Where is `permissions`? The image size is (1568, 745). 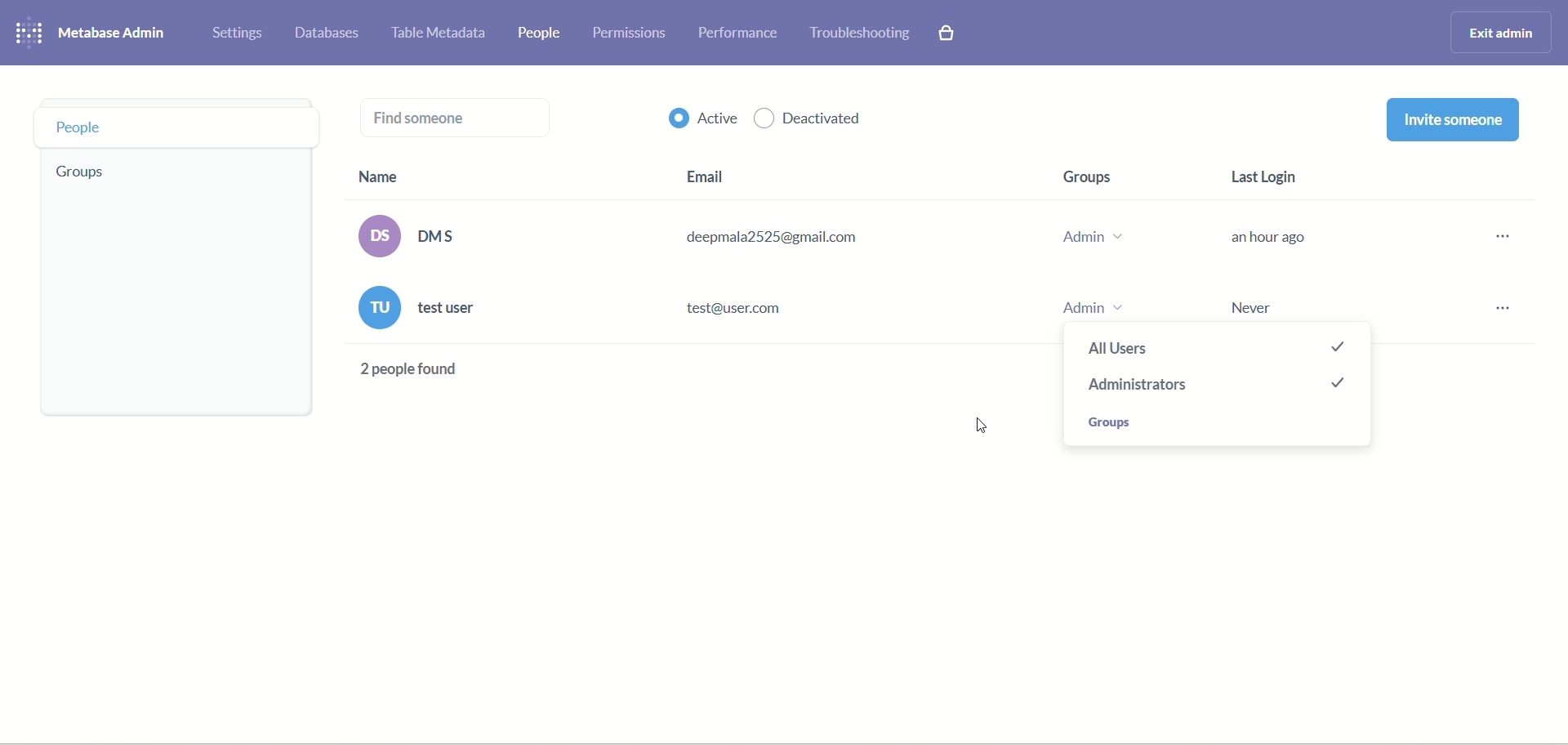 permissions is located at coordinates (630, 33).